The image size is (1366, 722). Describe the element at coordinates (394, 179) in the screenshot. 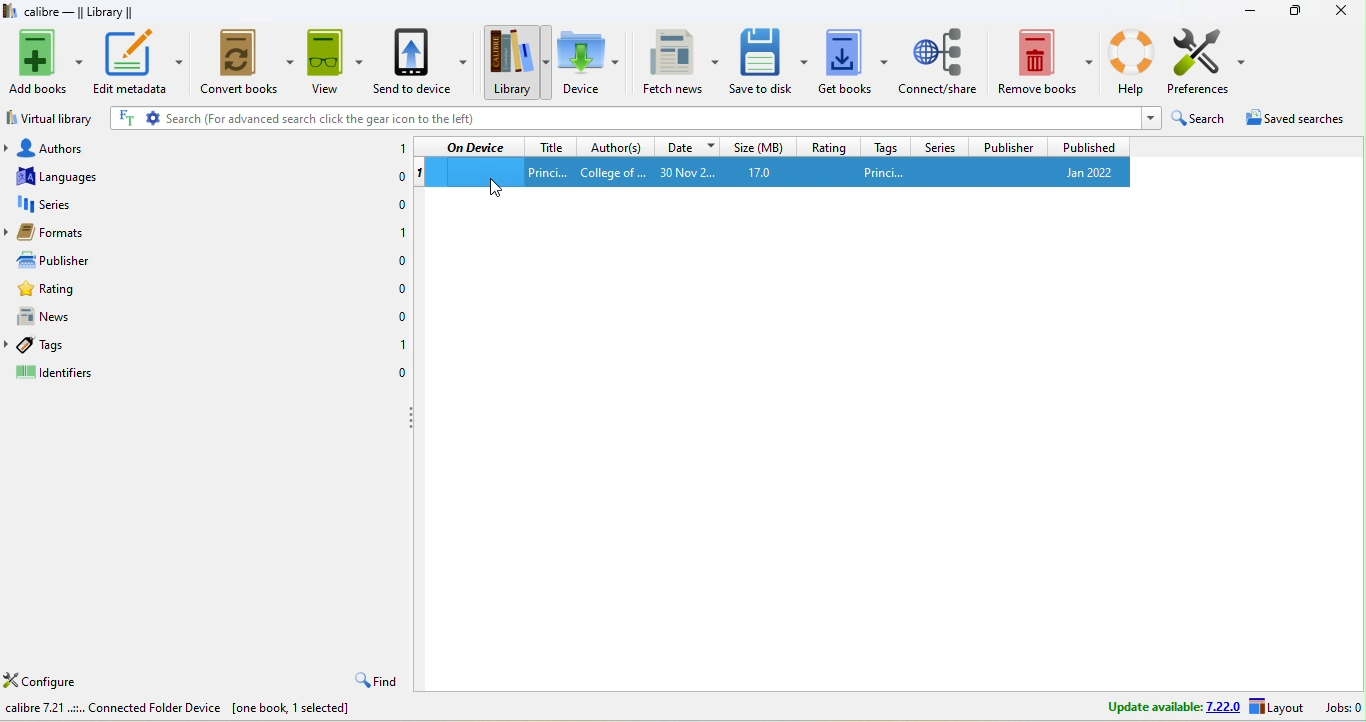

I see `0` at that location.